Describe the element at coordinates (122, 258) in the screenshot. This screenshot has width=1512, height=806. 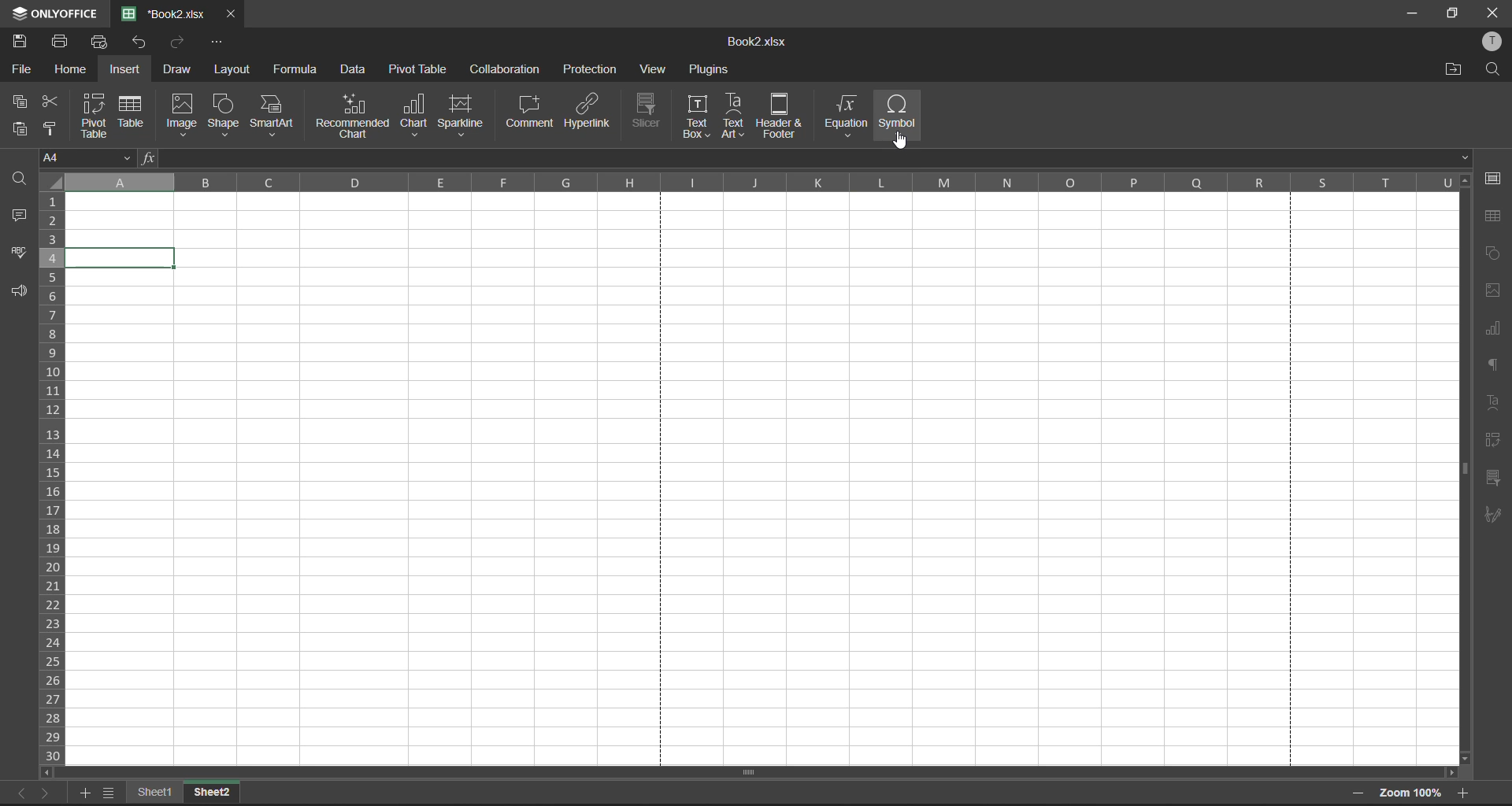
I see `selected cell` at that location.